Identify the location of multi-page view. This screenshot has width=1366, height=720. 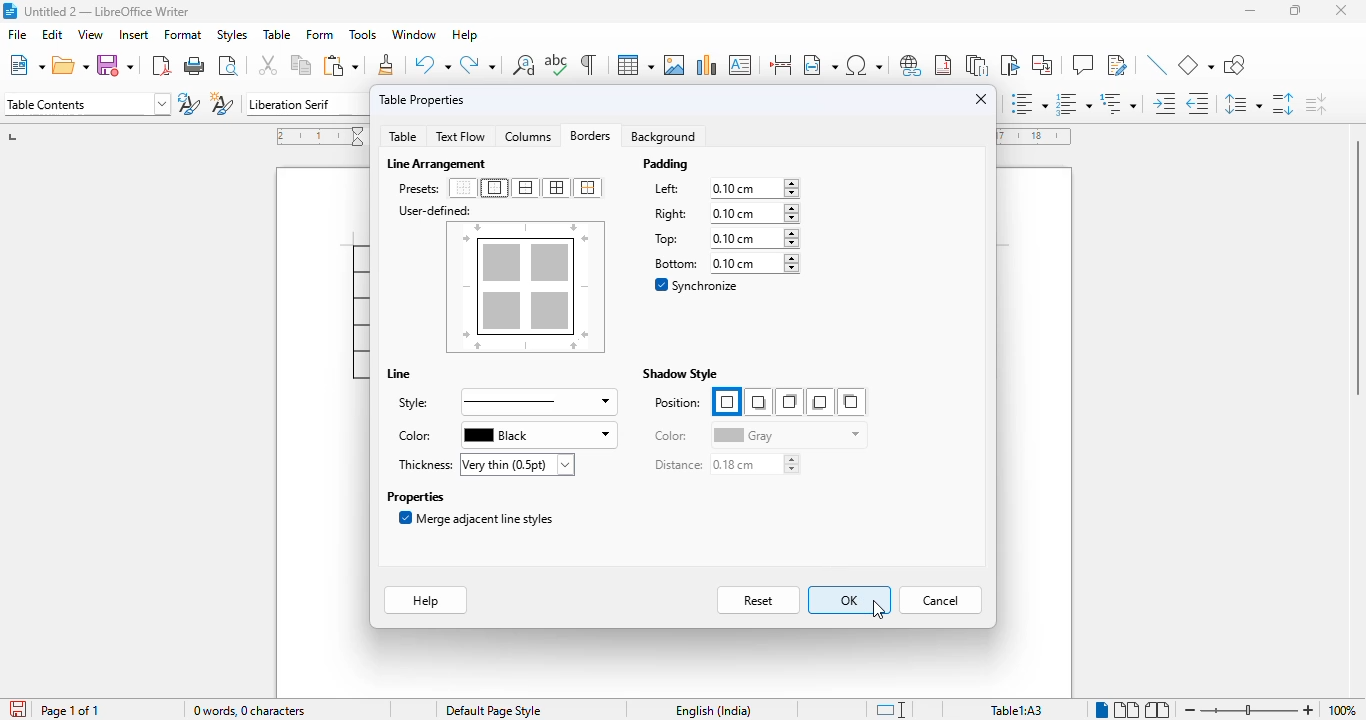
(1127, 709).